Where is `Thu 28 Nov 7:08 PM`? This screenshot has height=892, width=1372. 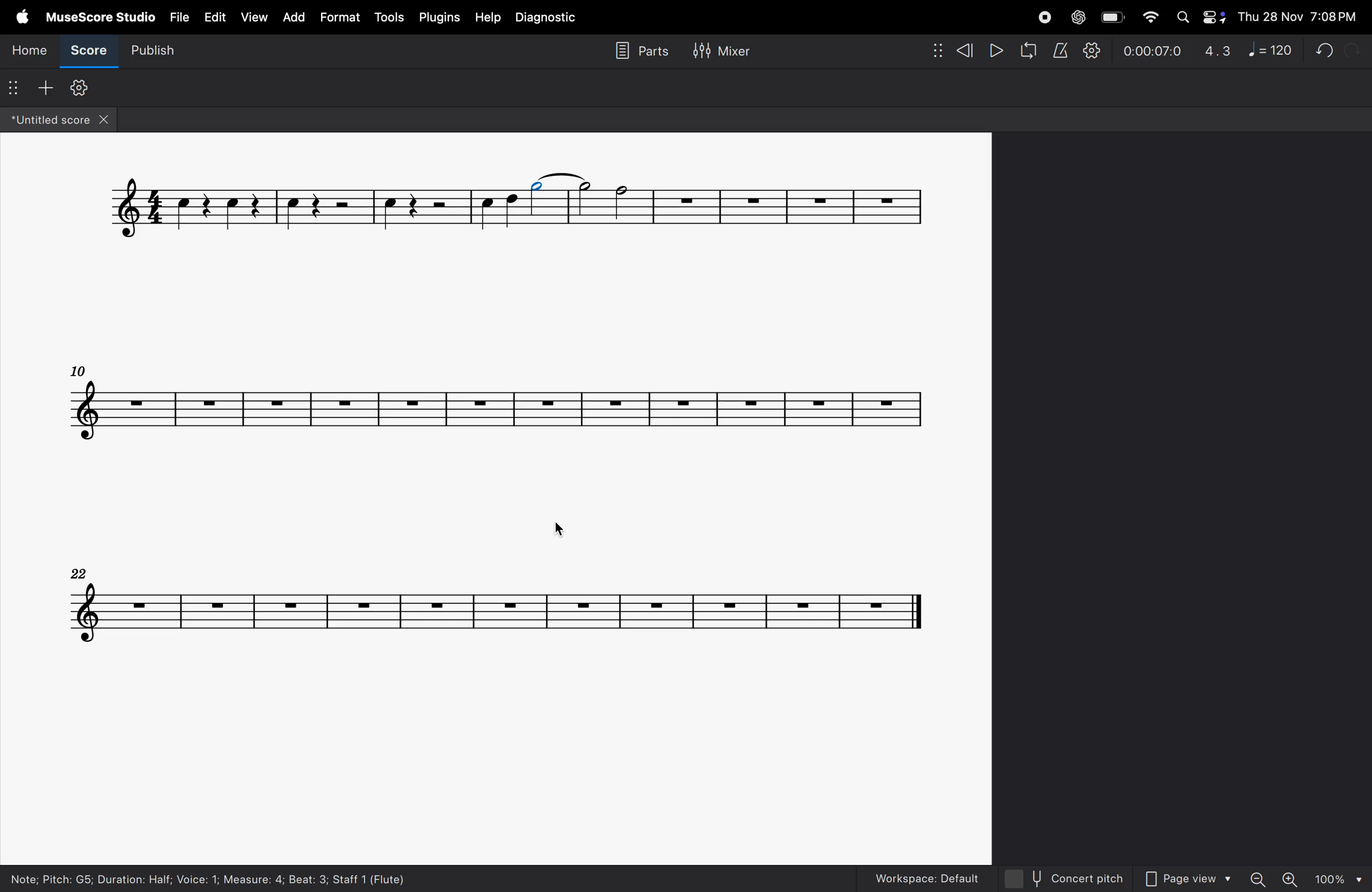
Thu 28 Nov 7:08 PM is located at coordinates (1299, 17).